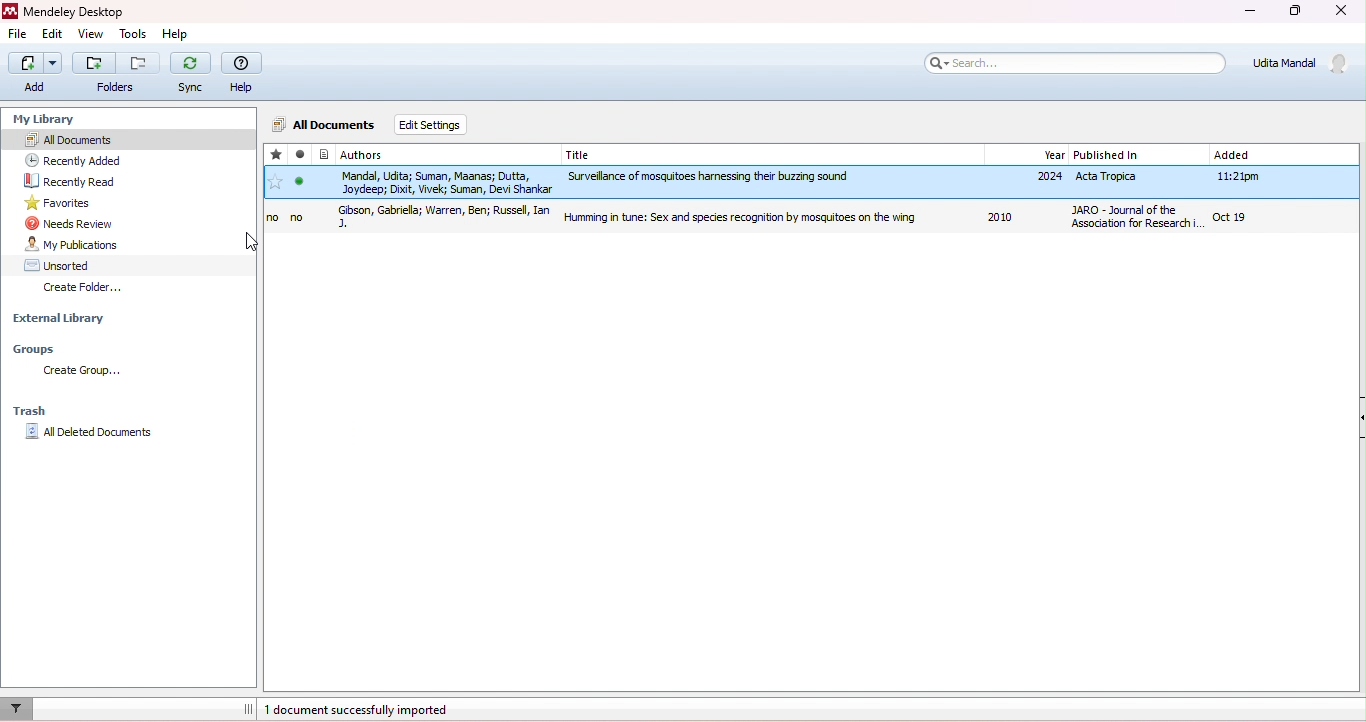  I want to click on all documents, so click(326, 126).